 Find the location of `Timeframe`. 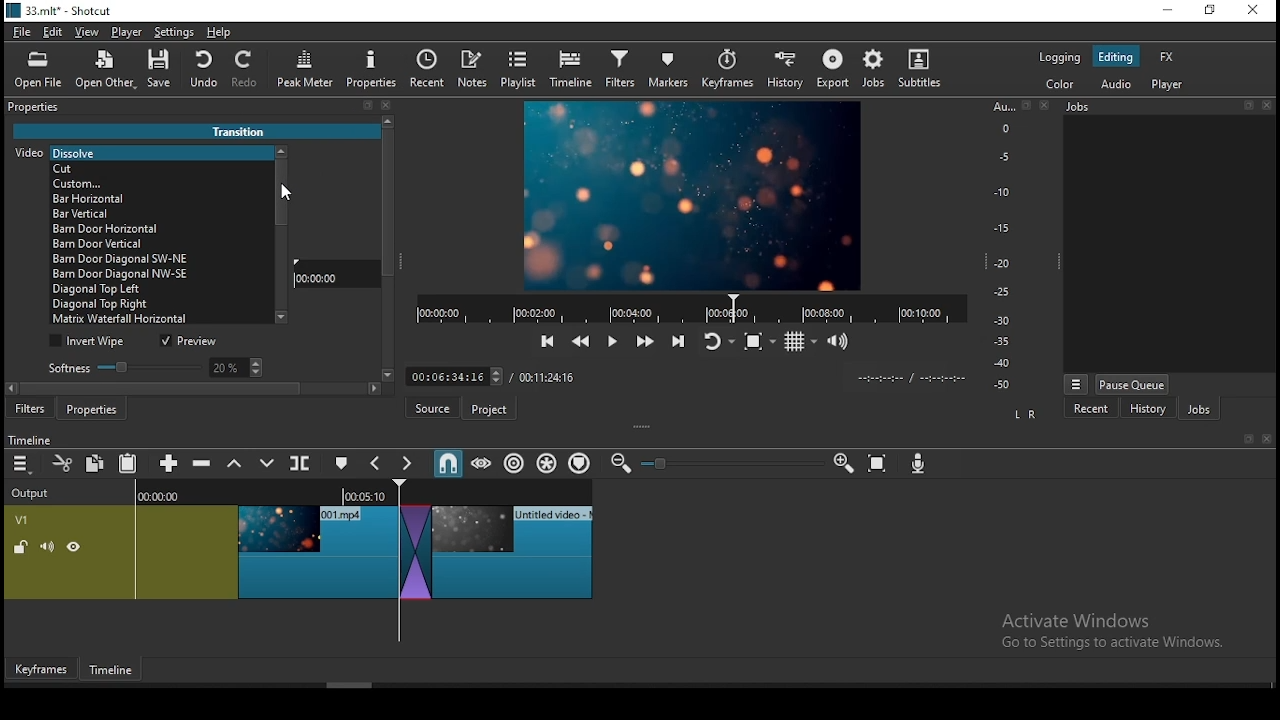

Timeframe is located at coordinates (116, 672).